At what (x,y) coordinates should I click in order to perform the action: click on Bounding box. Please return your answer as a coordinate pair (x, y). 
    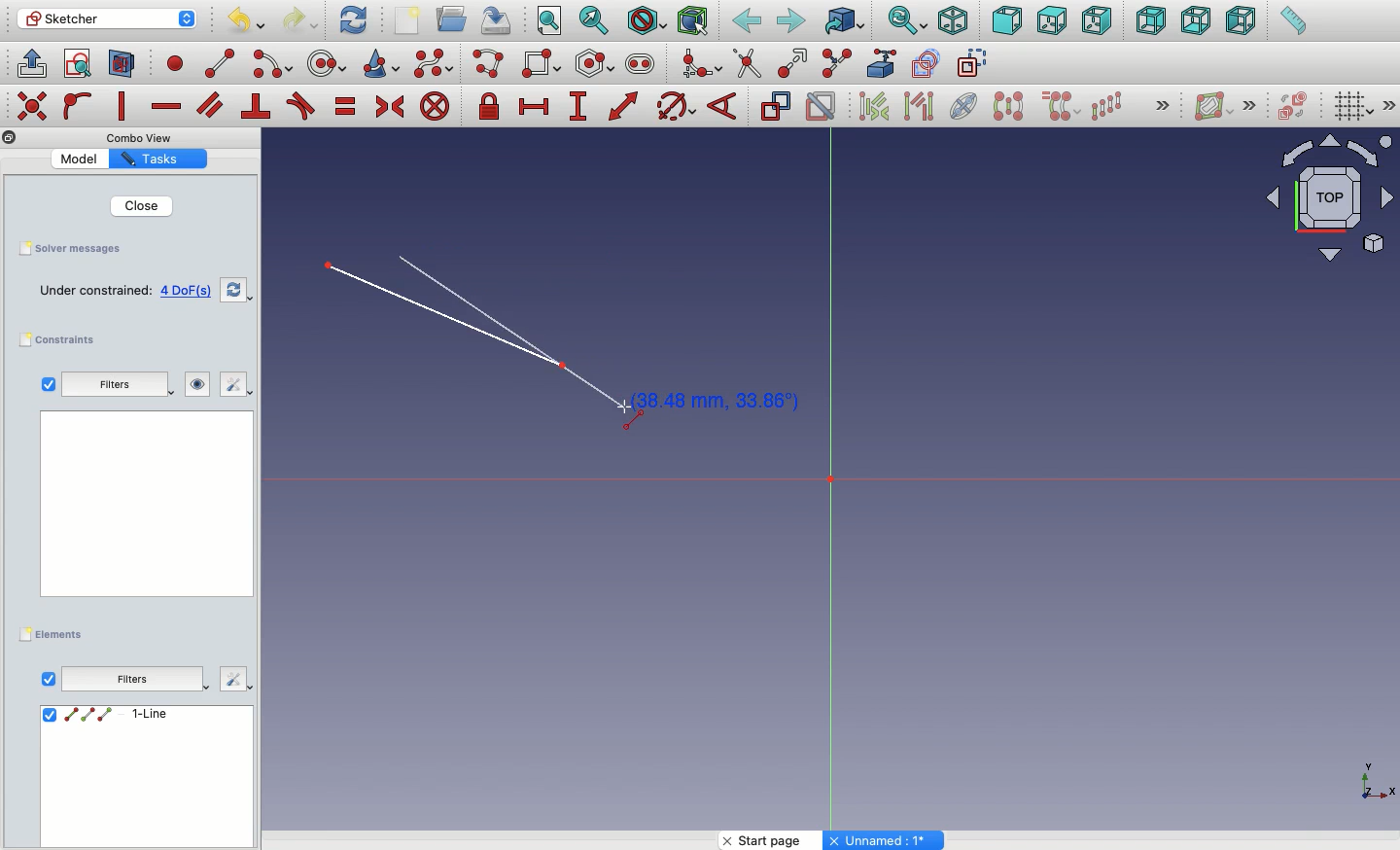
    Looking at the image, I should click on (695, 22).